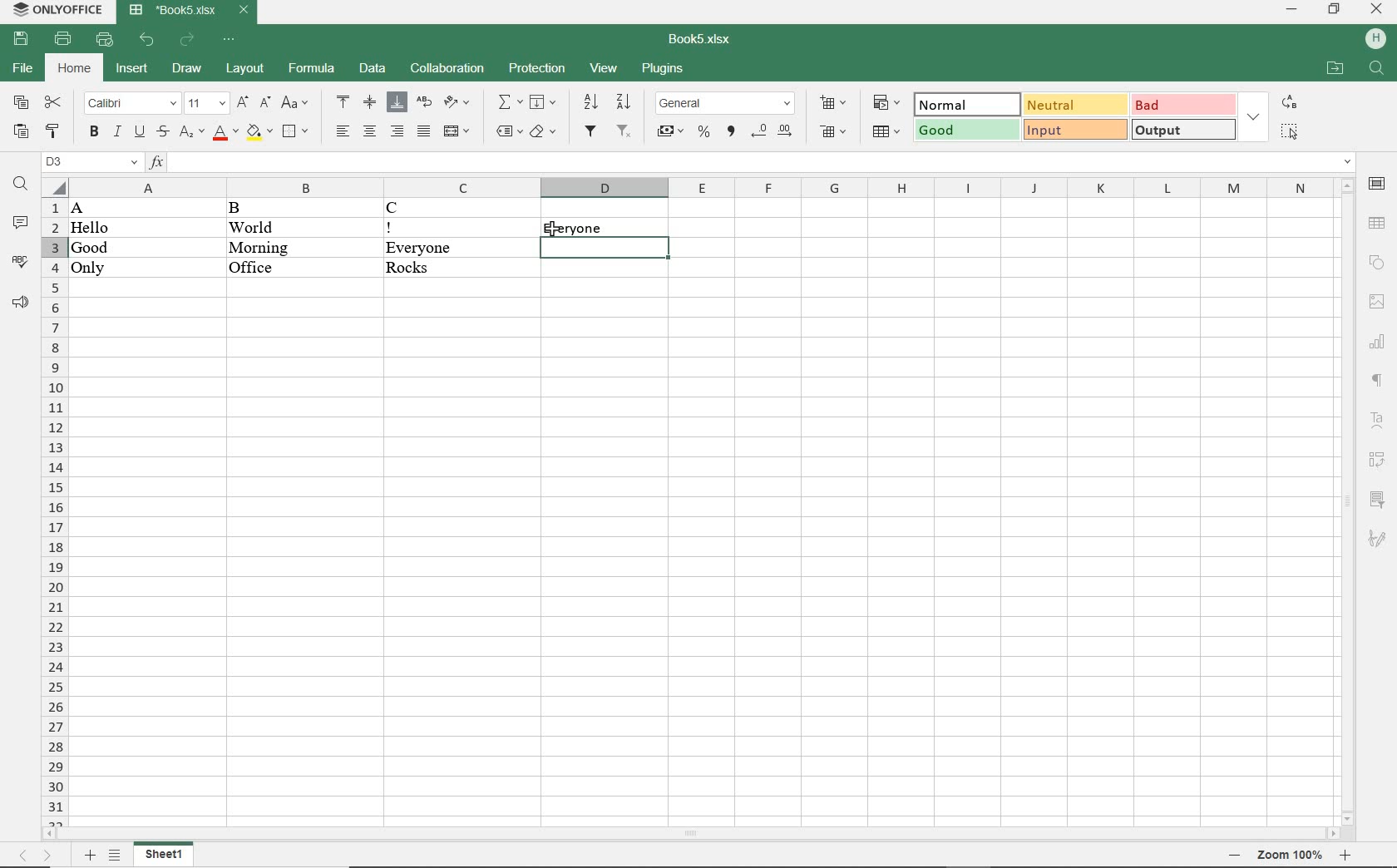  What do you see at coordinates (506, 133) in the screenshot?
I see `named ranges` at bounding box center [506, 133].